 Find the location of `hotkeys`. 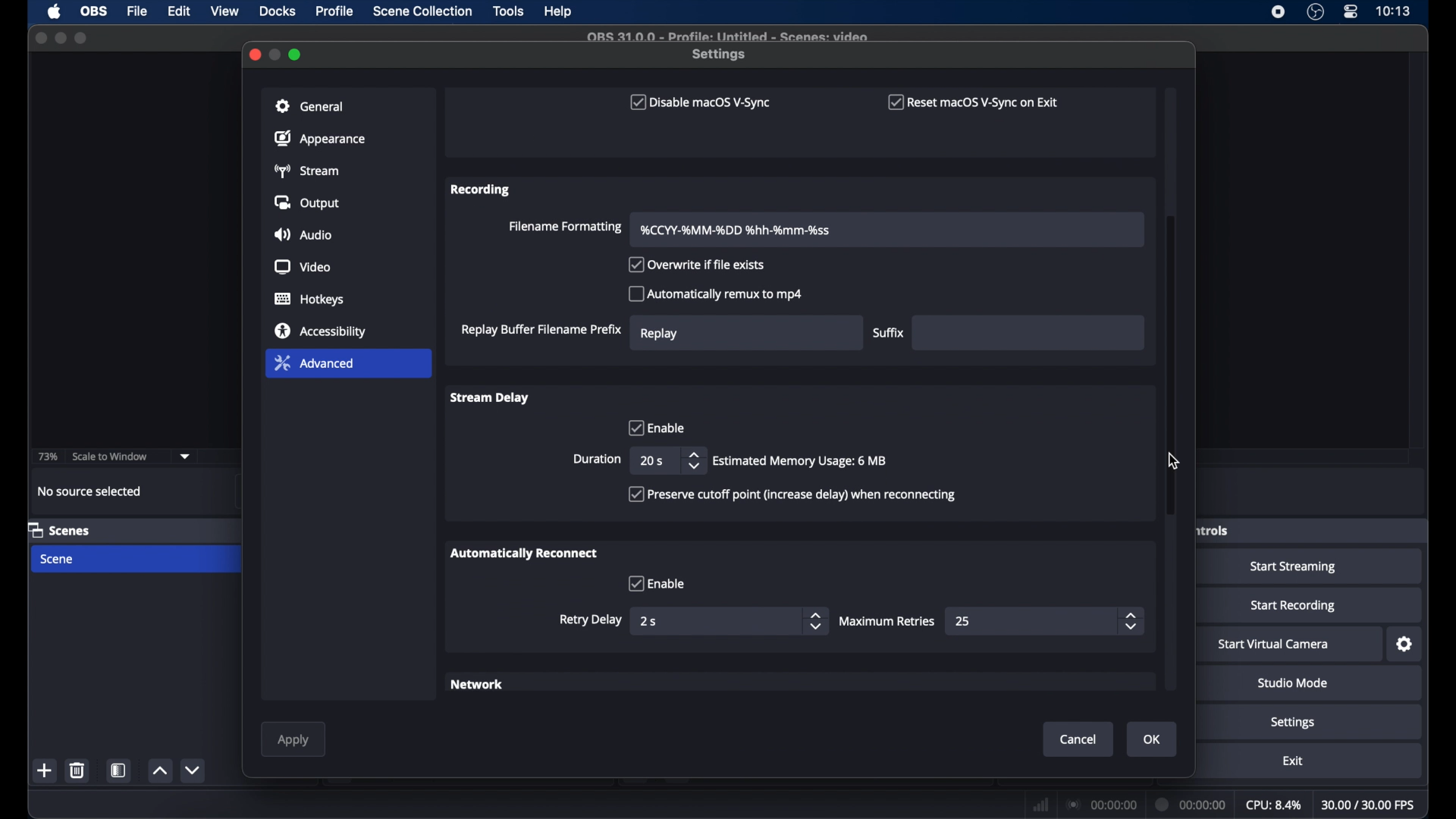

hotkeys is located at coordinates (310, 300).